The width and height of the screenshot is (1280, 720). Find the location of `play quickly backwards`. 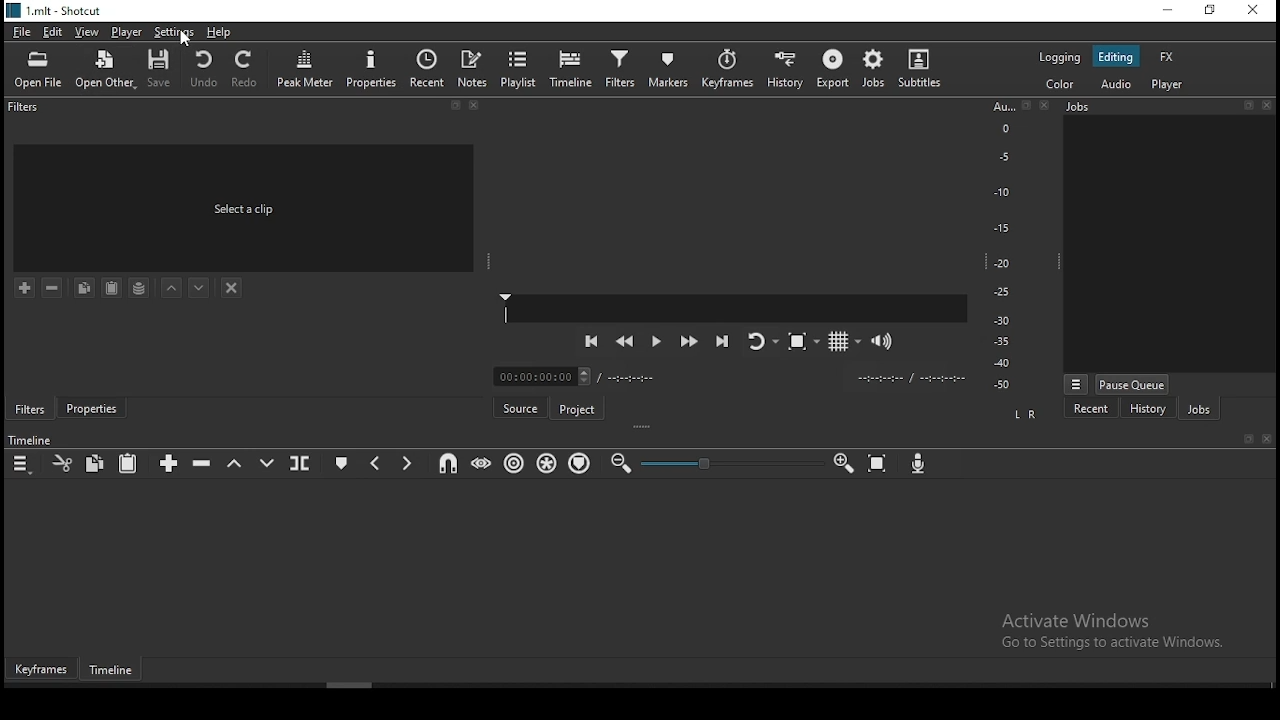

play quickly backwards is located at coordinates (624, 344).